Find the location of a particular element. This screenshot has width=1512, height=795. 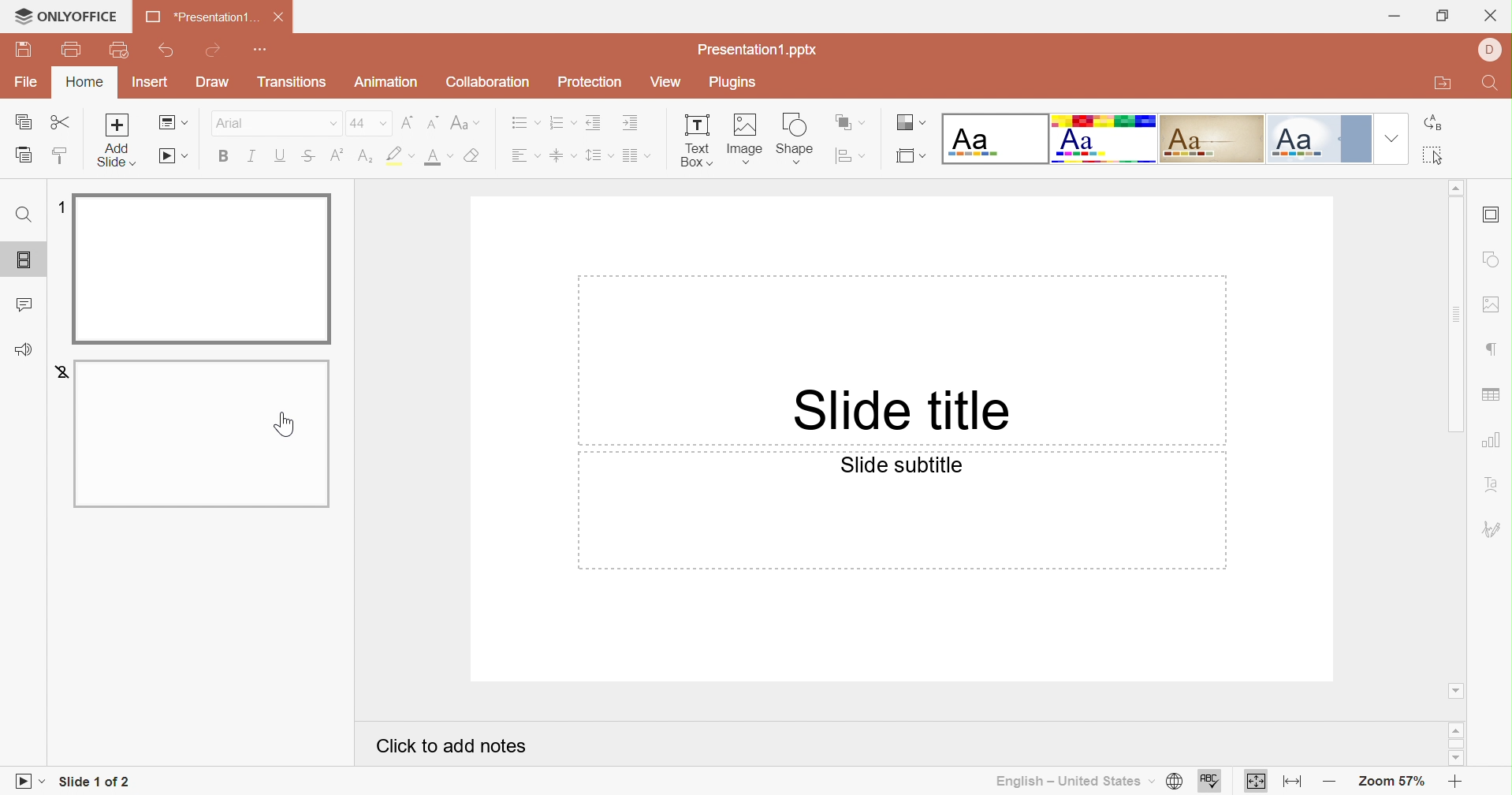

Save is located at coordinates (23, 48).